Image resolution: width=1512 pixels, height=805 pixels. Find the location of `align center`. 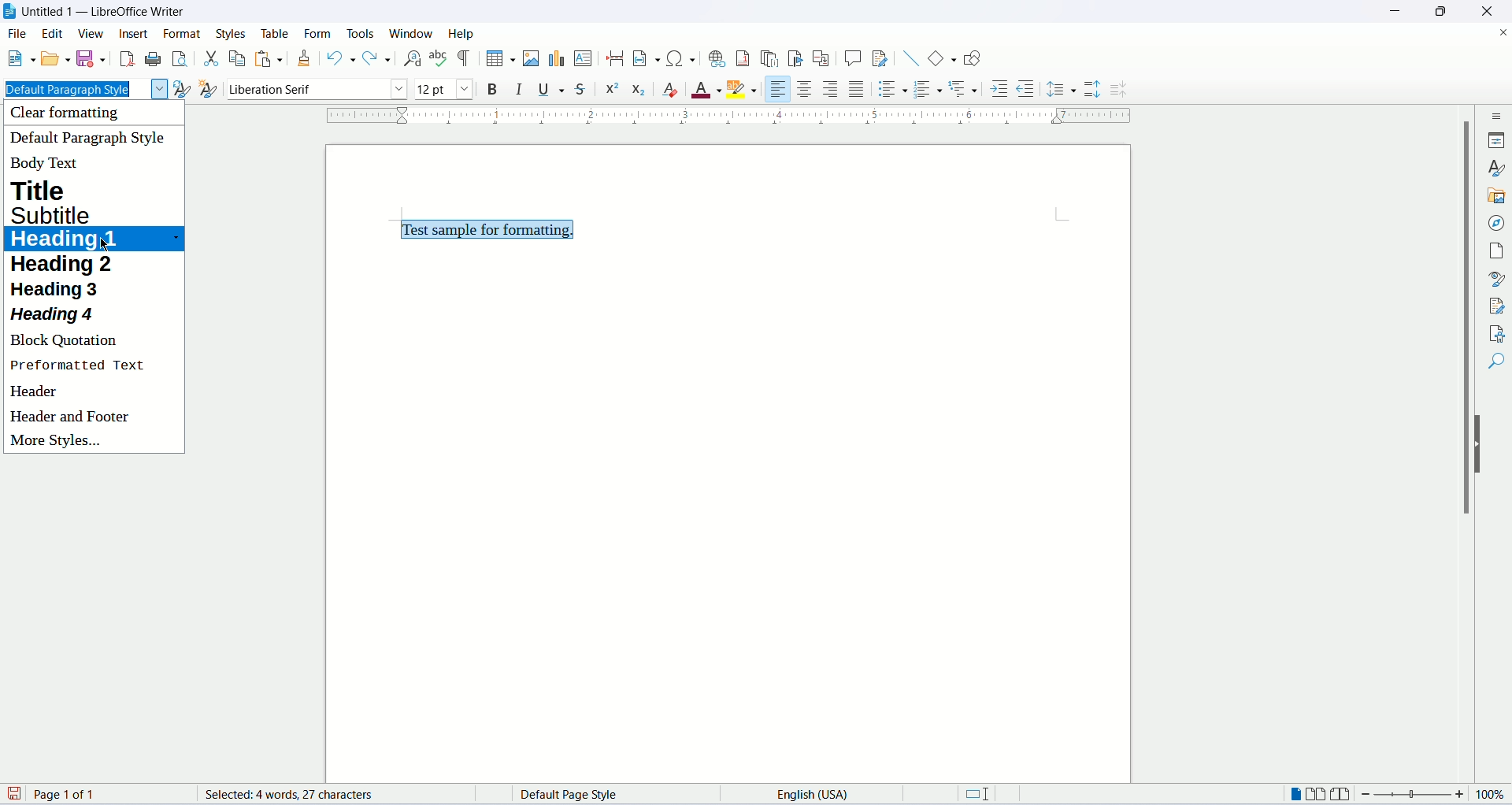

align center is located at coordinates (806, 89).